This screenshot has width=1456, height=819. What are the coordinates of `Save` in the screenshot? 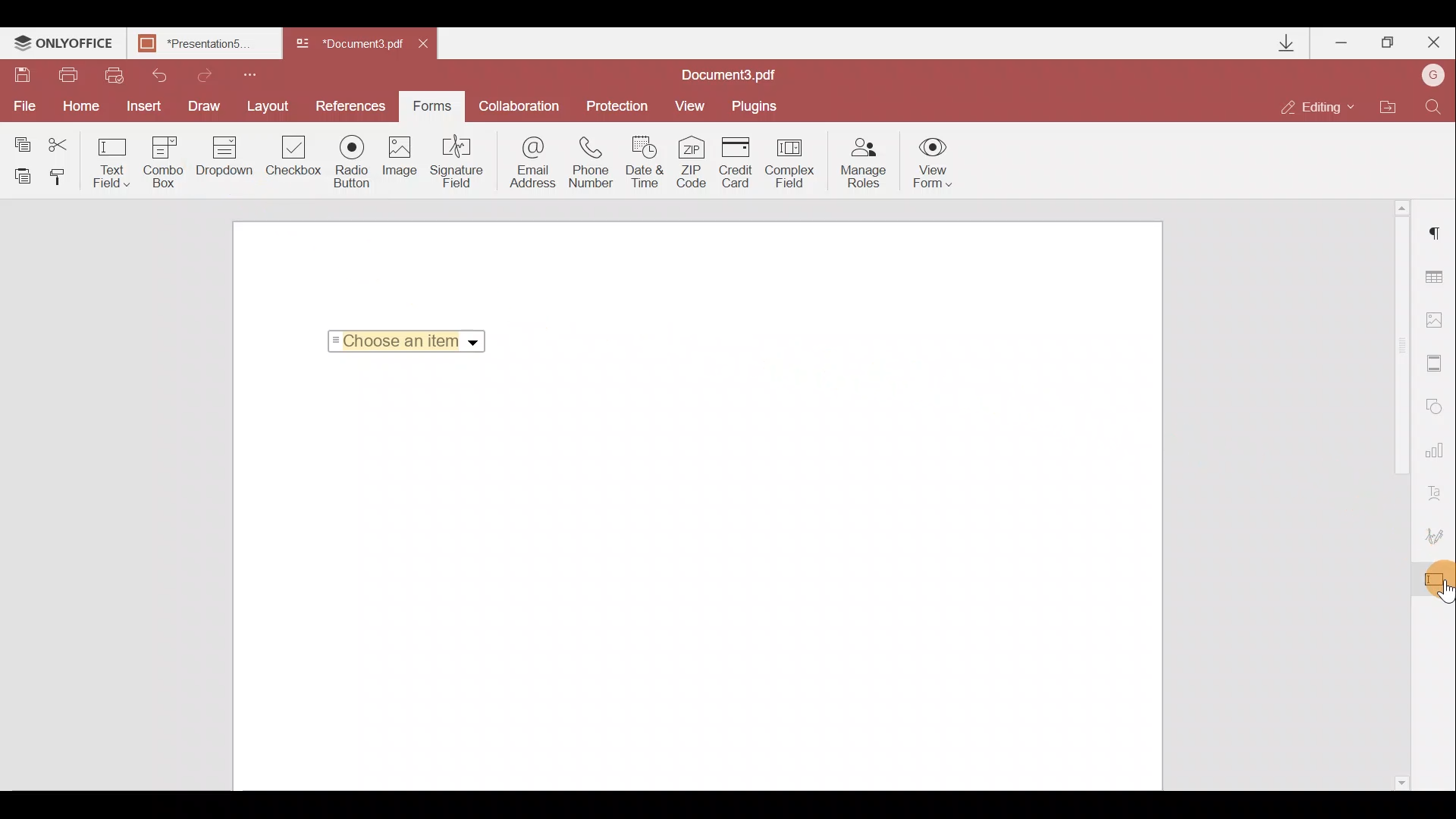 It's located at (22, 75).